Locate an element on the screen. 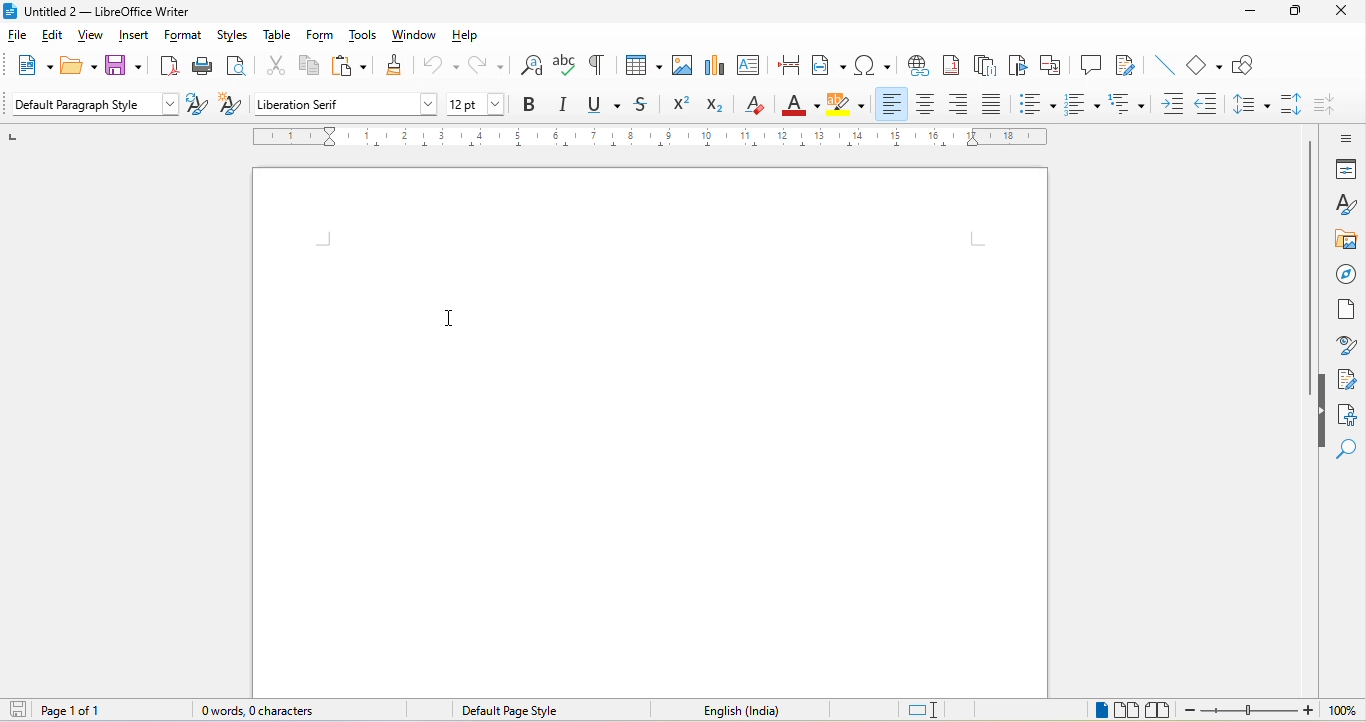 Image resolution: width=1366 pixels, height=722 pixels. formatting marks is located at coordinates (602, 68).